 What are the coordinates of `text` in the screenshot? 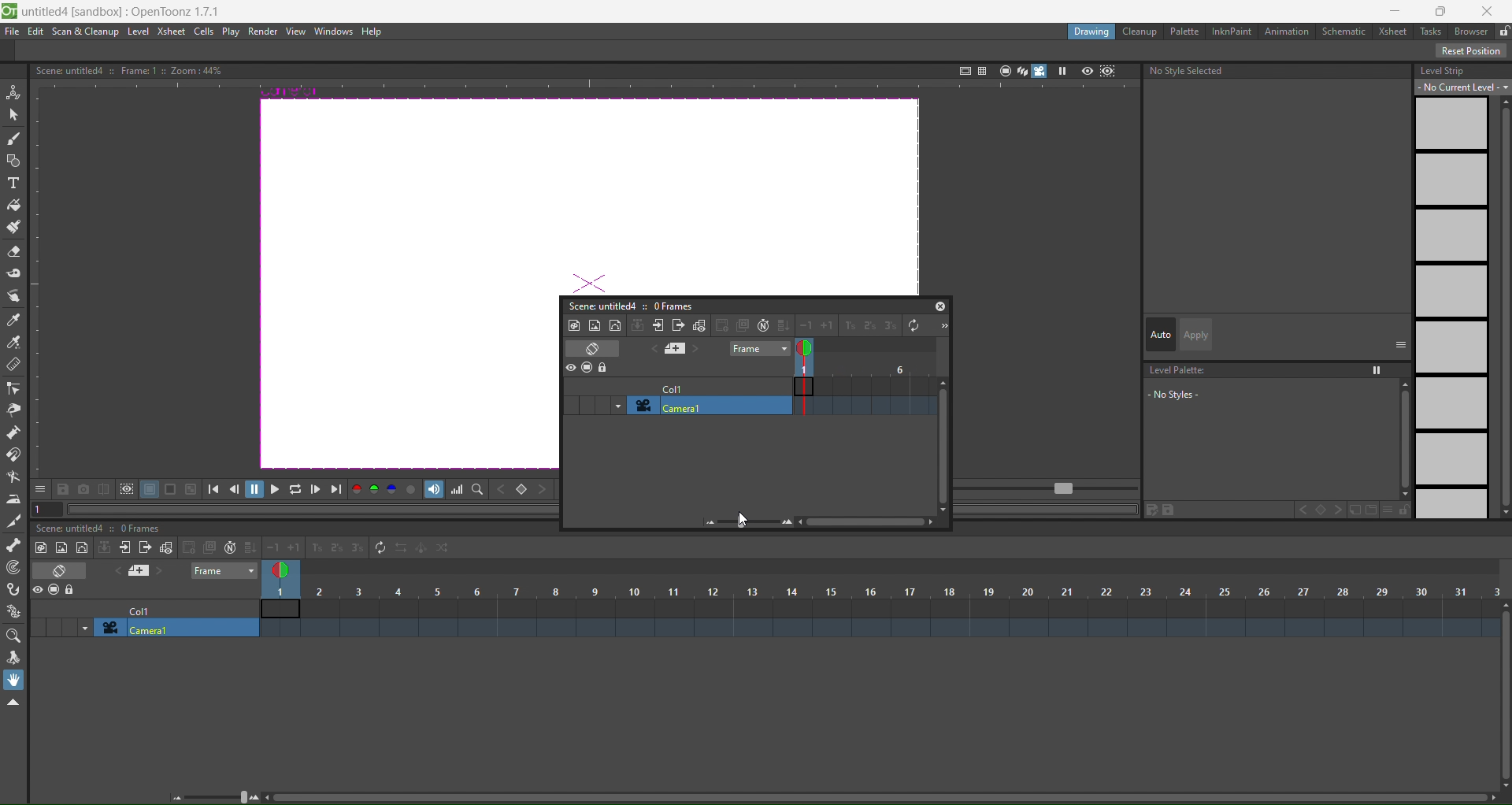 It's located at (1189, 71).